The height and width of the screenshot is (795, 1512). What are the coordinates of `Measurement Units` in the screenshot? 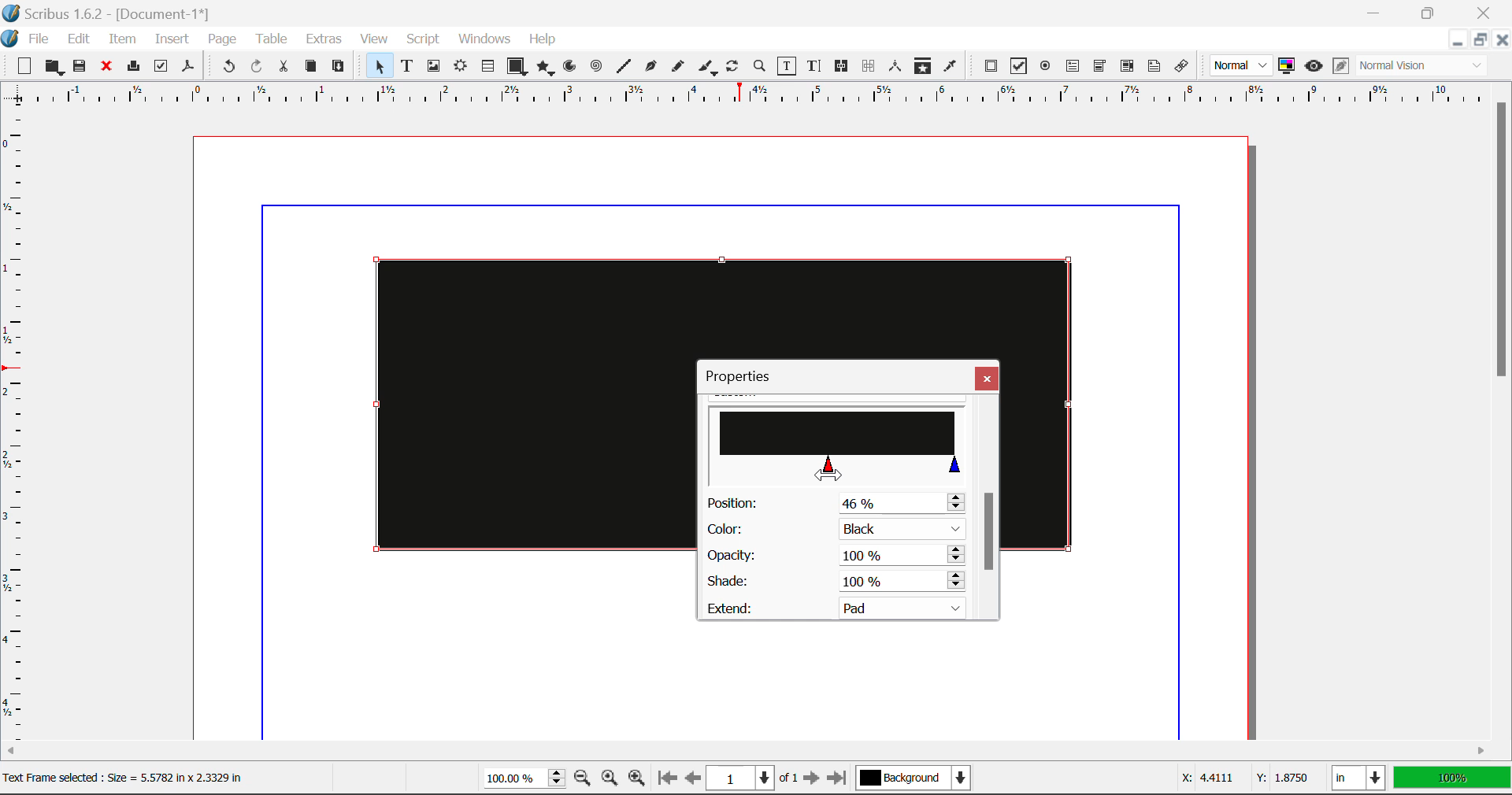 It's located at (1360, 780).